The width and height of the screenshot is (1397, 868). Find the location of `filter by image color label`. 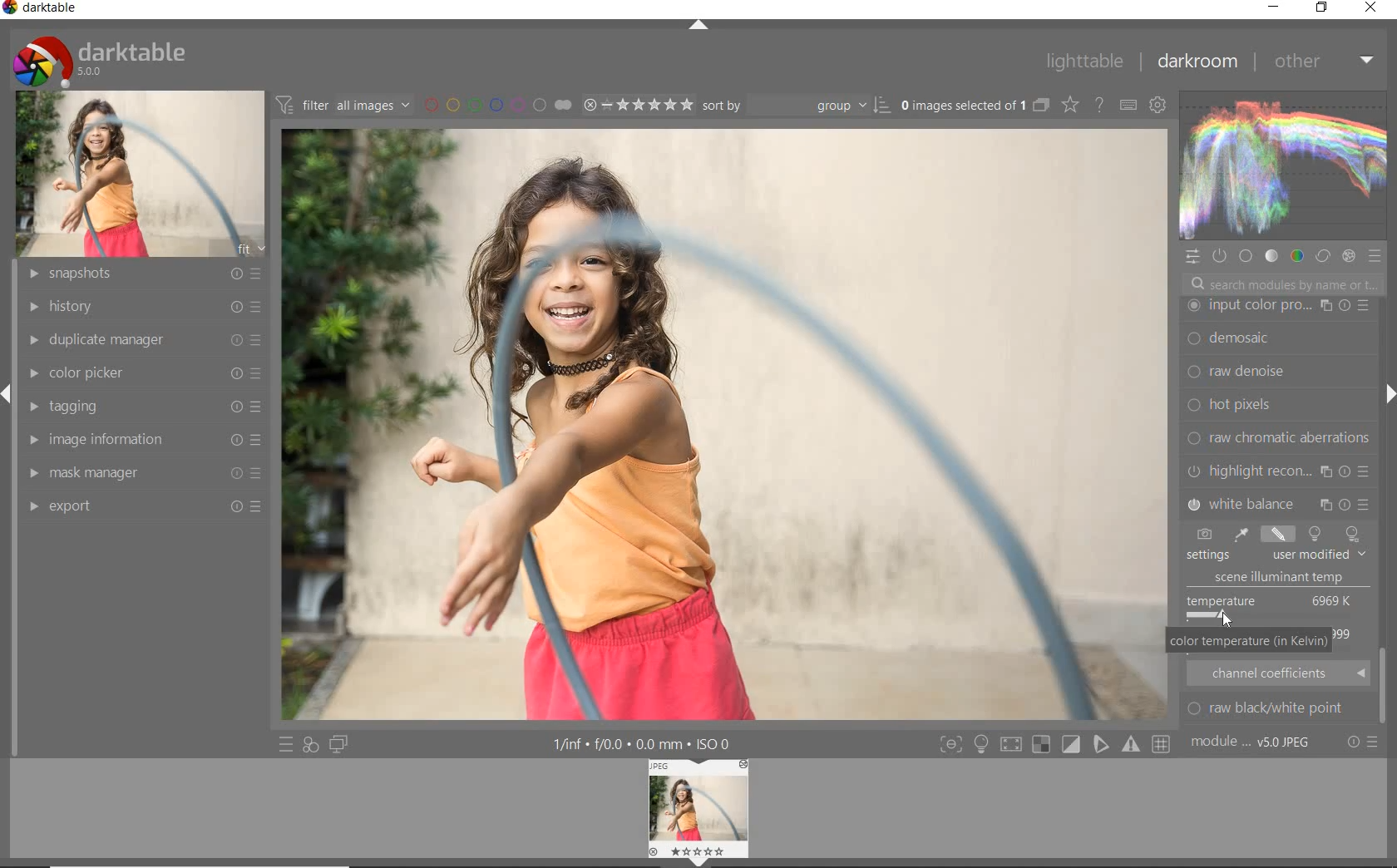

filter by image color label is located at coordinates (496, 104).